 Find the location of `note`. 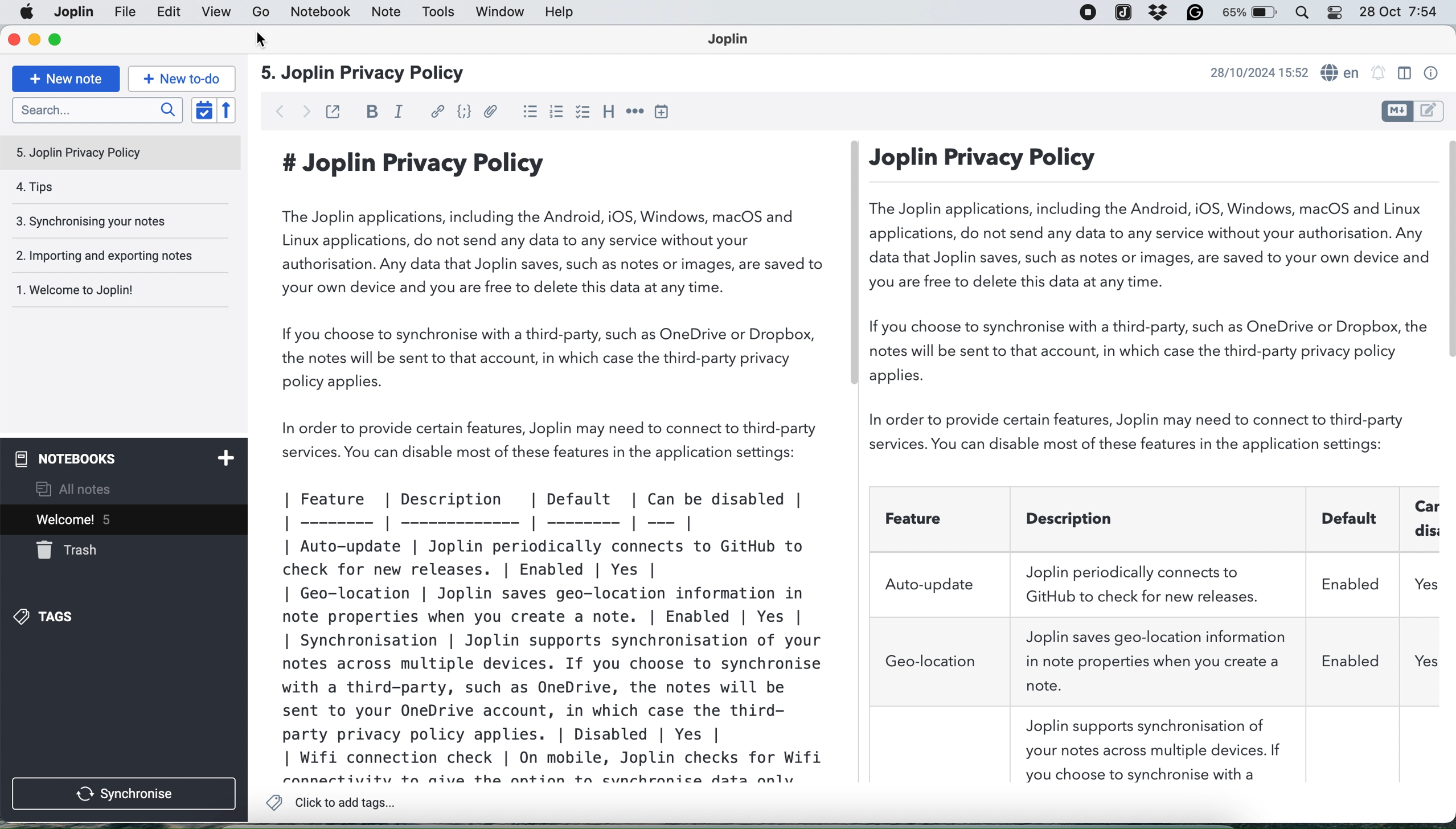

note is located at coordinates (384, 13).